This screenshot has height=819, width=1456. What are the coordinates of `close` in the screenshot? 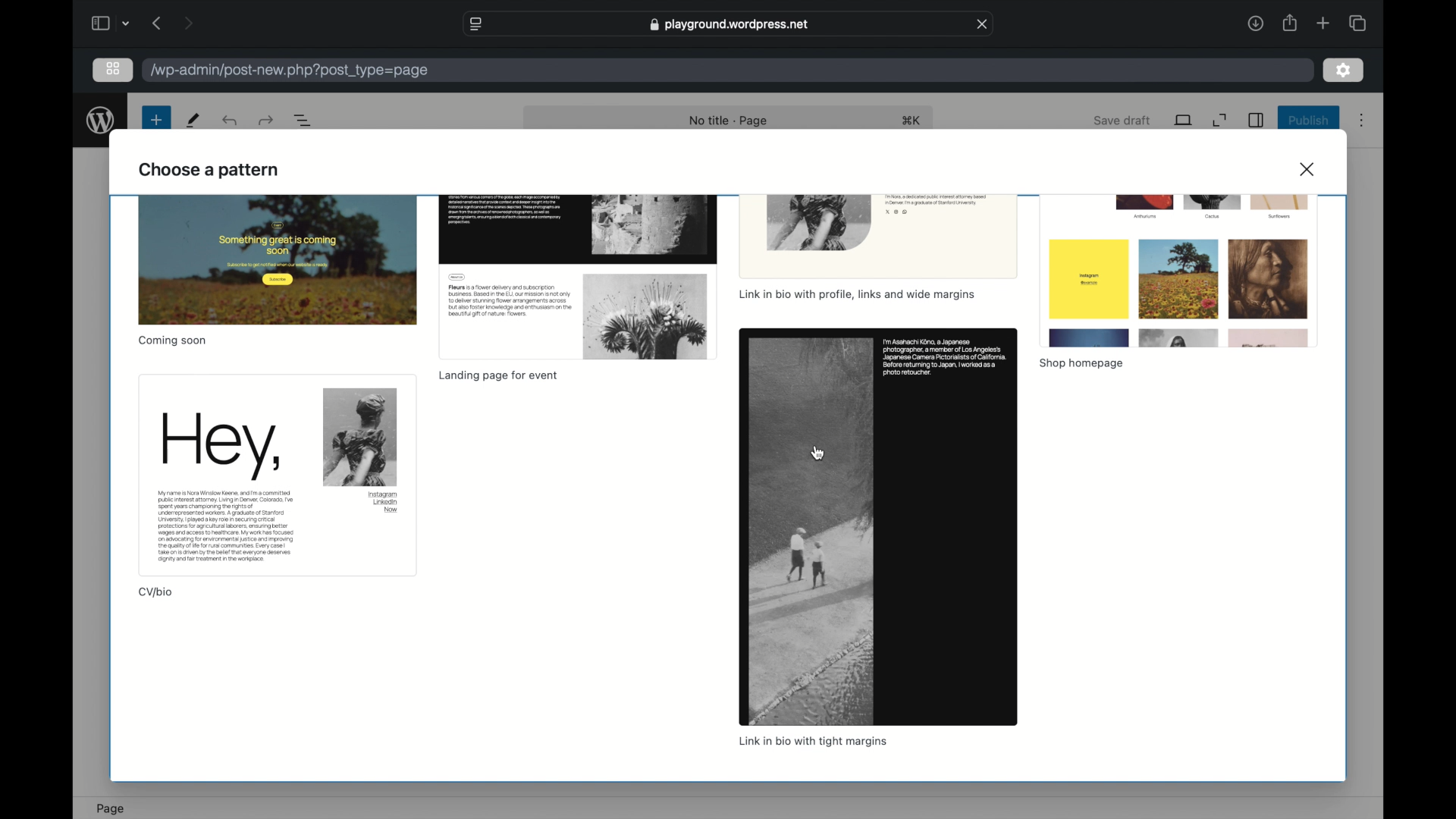 It's located at (1309, 168).